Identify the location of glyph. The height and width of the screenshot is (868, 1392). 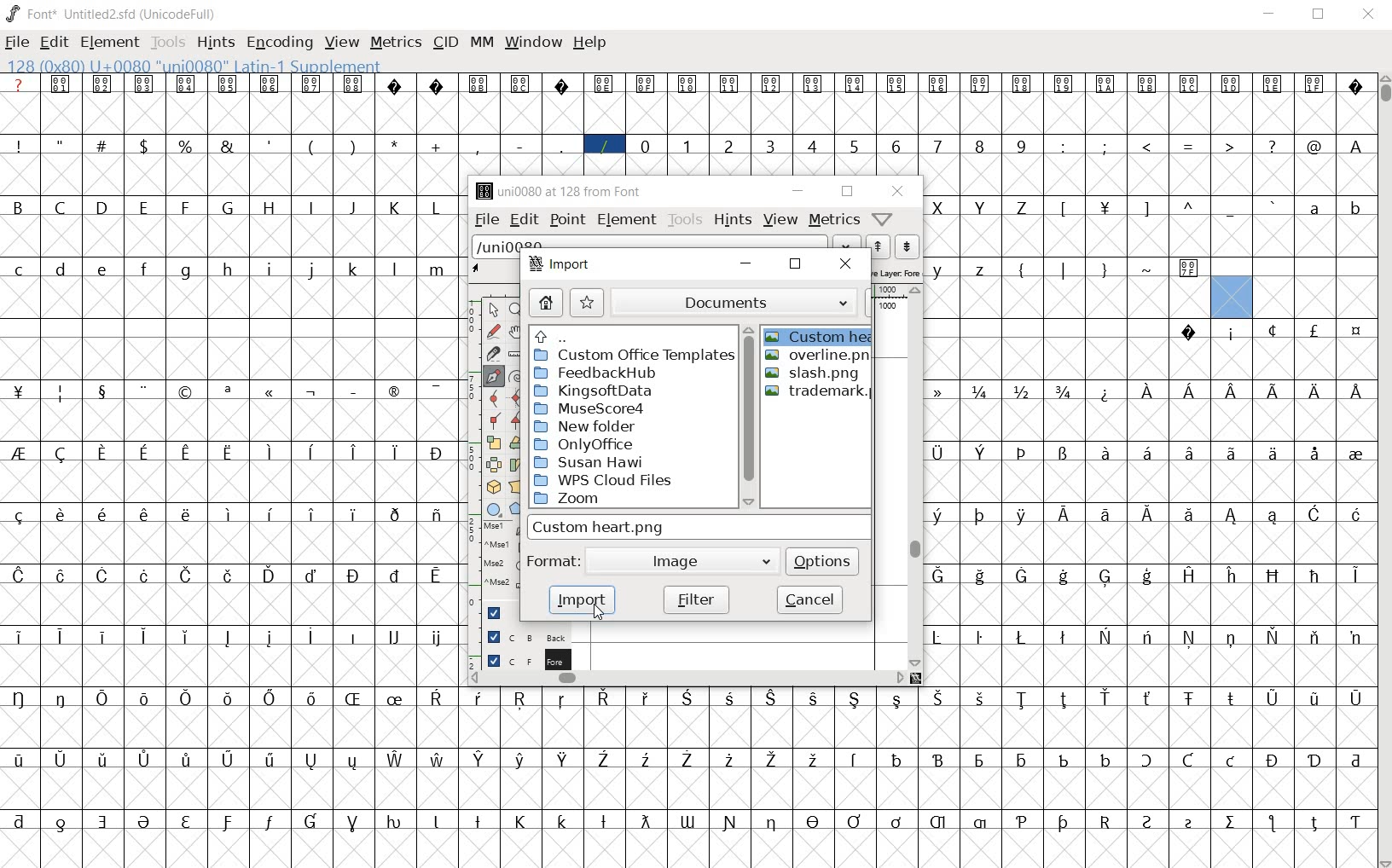
(1314, 761).